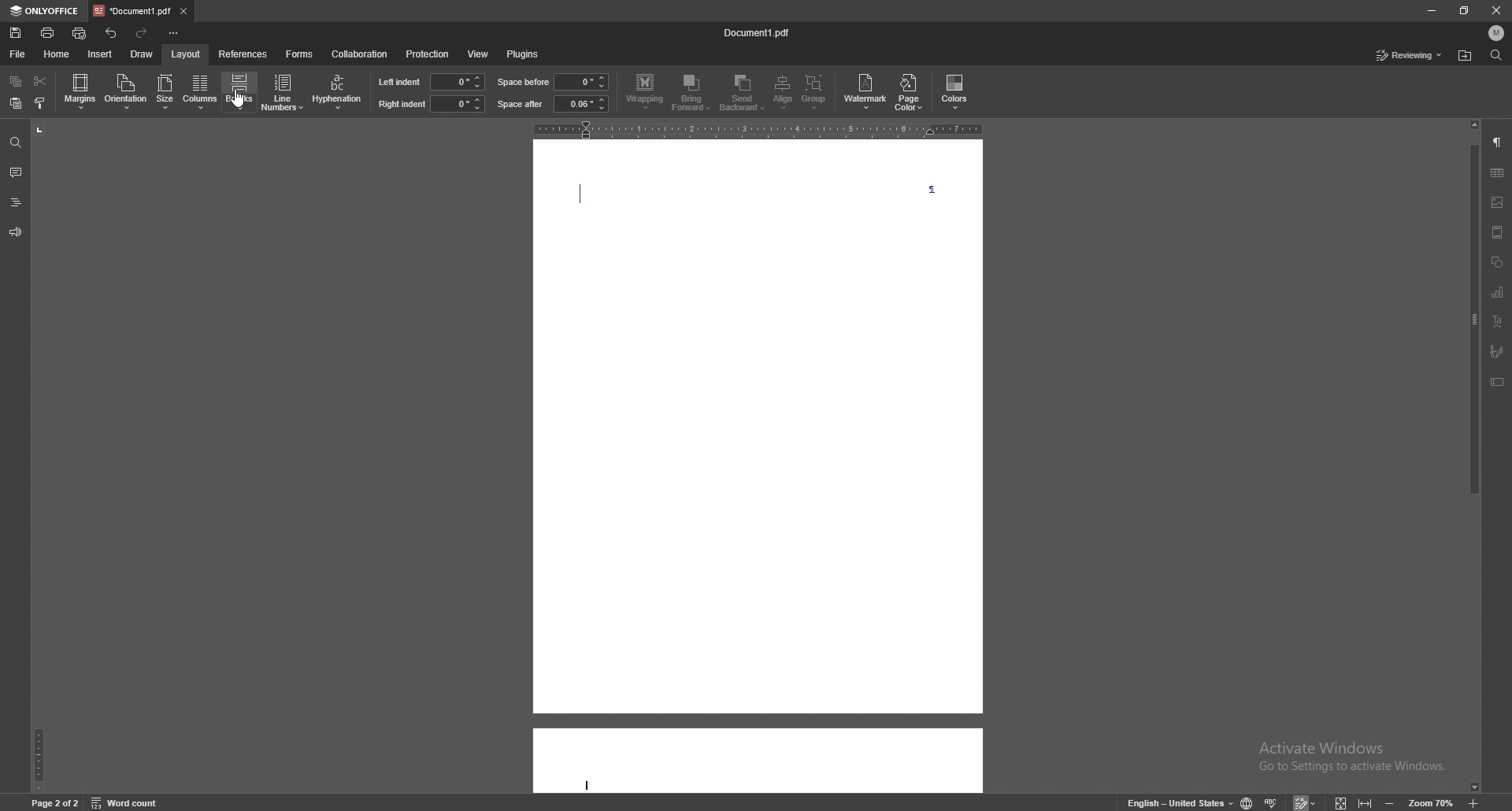 Image resolution: width=1512 pixels, height=811 pixels. What do you see at coordinates (1476, 802) in the screenshot?
I see `Zoom in` at bounding box center [1476, 802].